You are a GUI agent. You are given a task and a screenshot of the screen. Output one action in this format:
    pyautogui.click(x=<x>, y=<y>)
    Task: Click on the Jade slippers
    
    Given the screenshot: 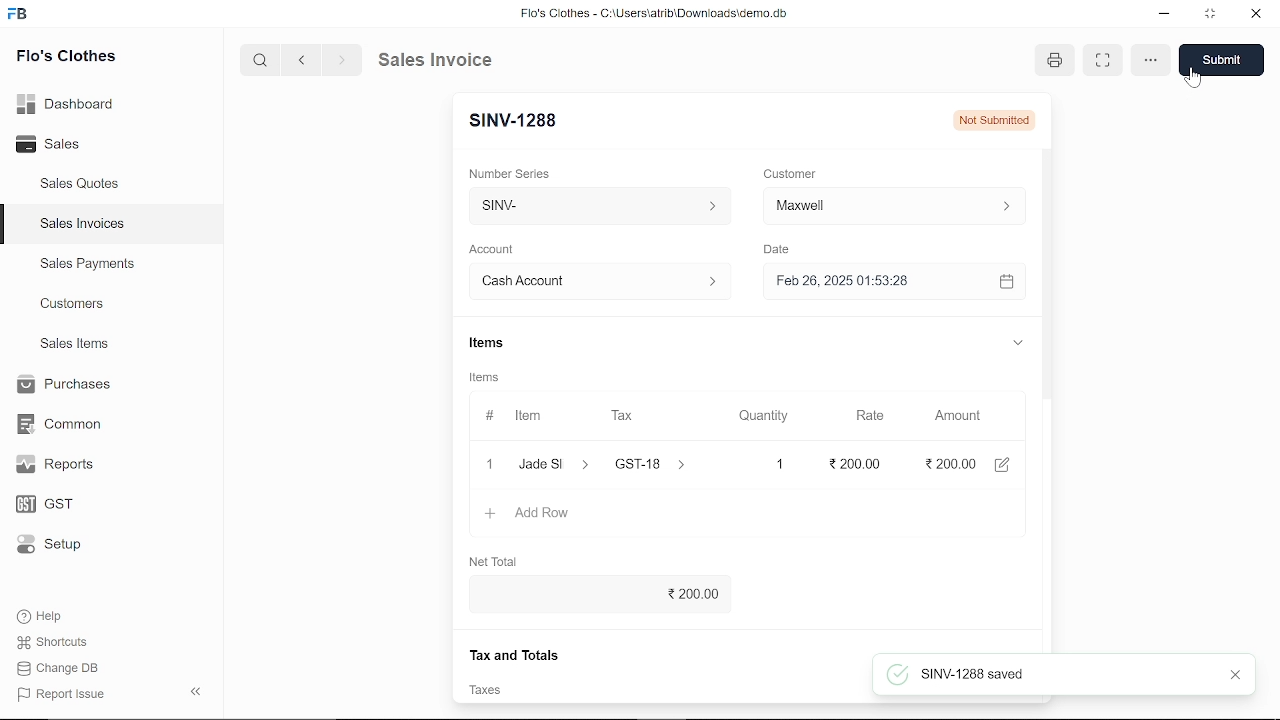 What is the action you would take?
    pyautogui.click(x=555, y=464)
    